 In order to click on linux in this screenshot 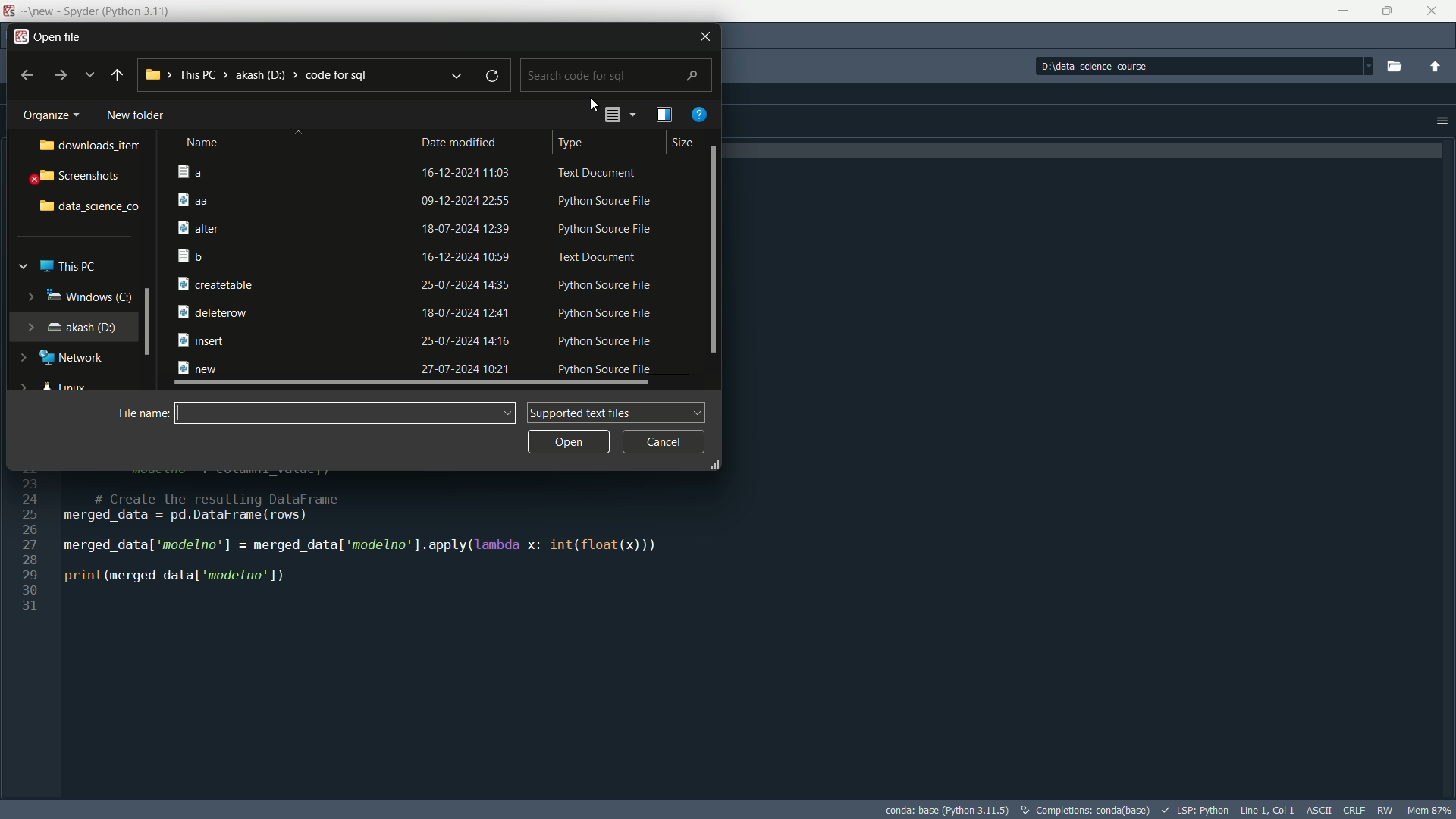, I will do `click(67, 388)`.